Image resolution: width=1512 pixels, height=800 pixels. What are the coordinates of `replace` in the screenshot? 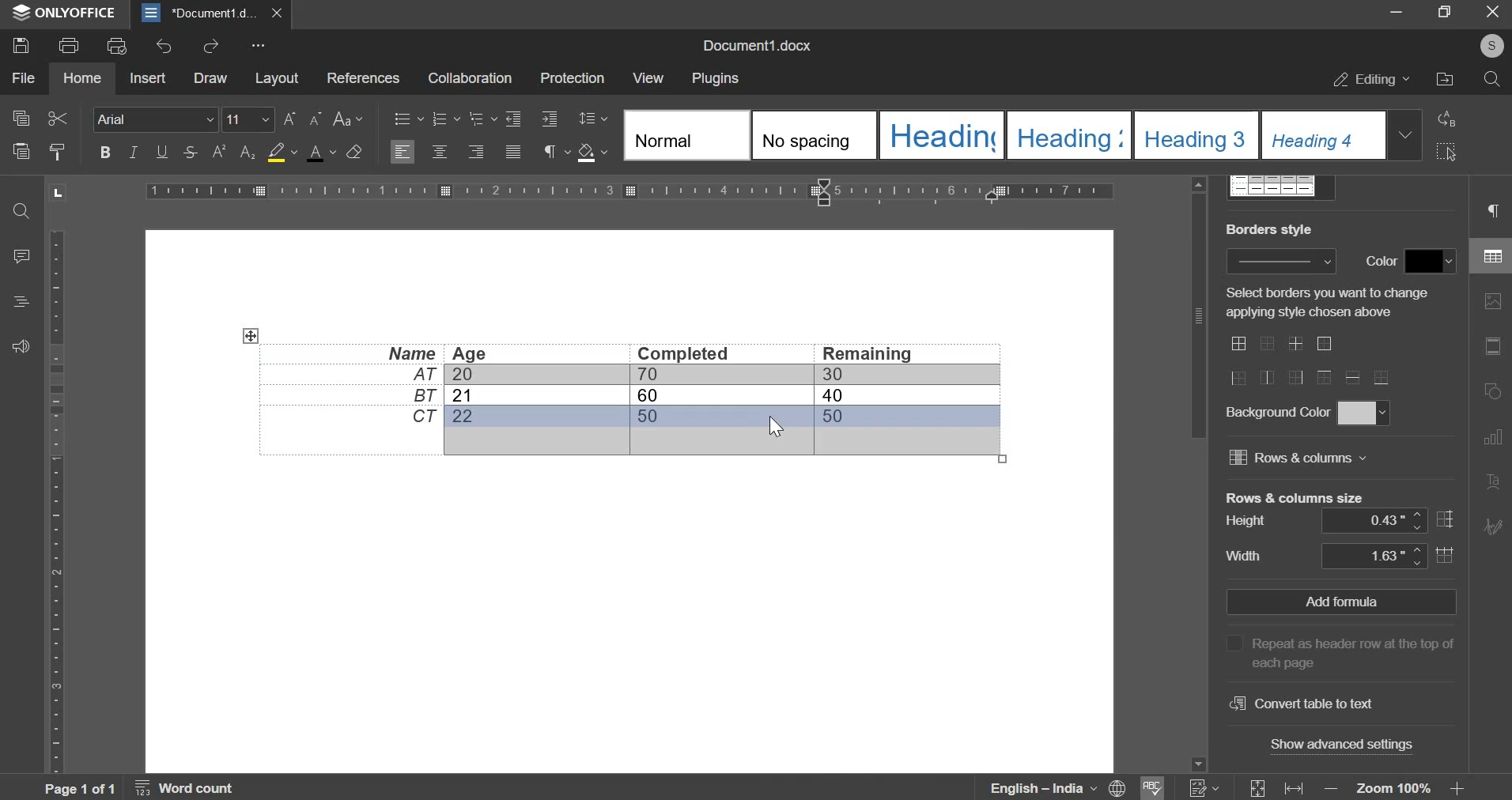 It's located at (1448, 120).